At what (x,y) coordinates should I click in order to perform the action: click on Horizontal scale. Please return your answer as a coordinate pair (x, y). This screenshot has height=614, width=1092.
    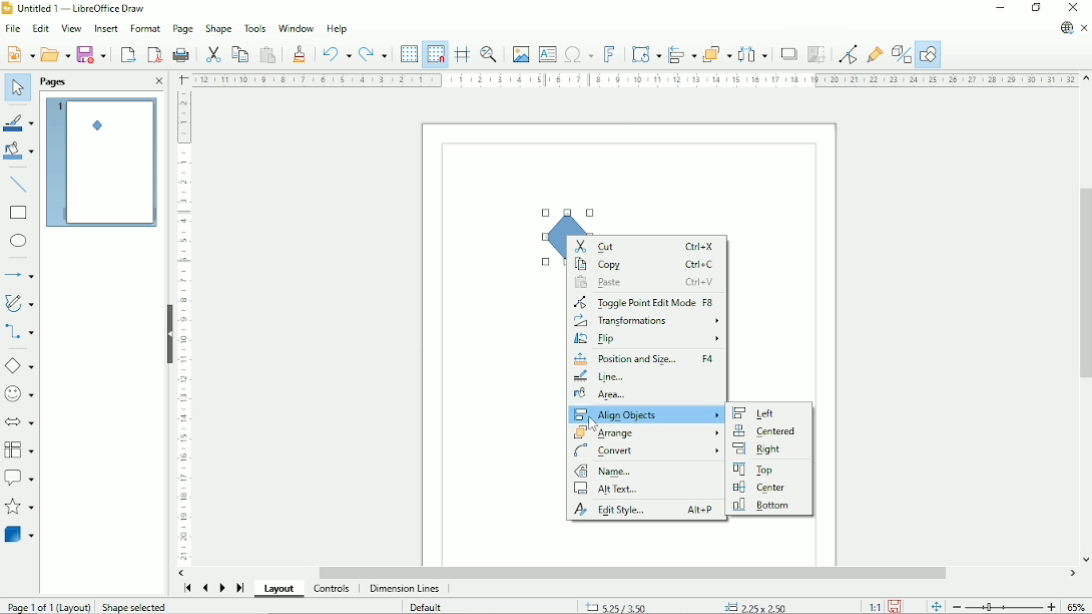
    Looking at the image, I should click on (635, 80).